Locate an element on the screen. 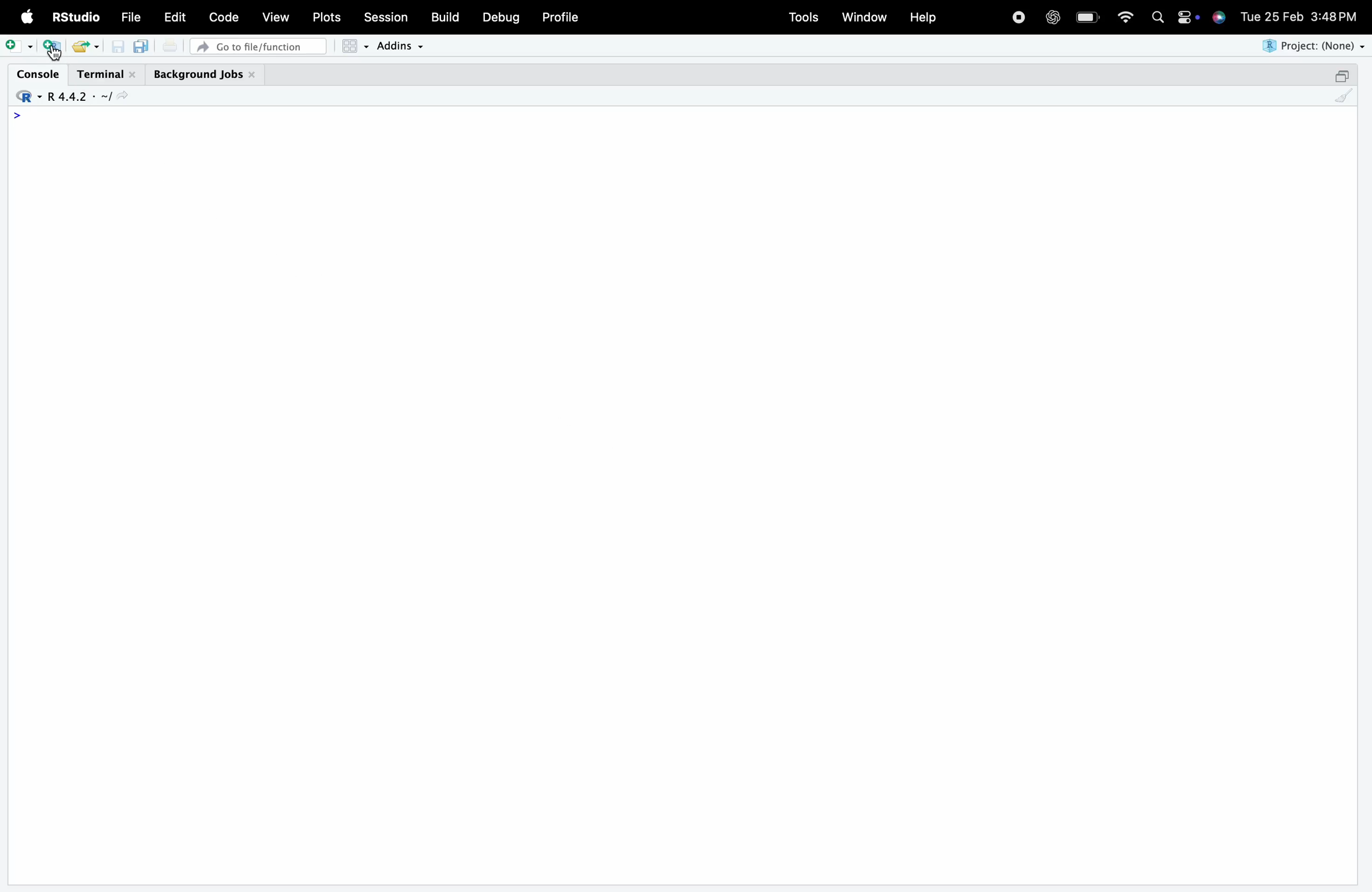  Save current document is located at coordinates (118, 47).